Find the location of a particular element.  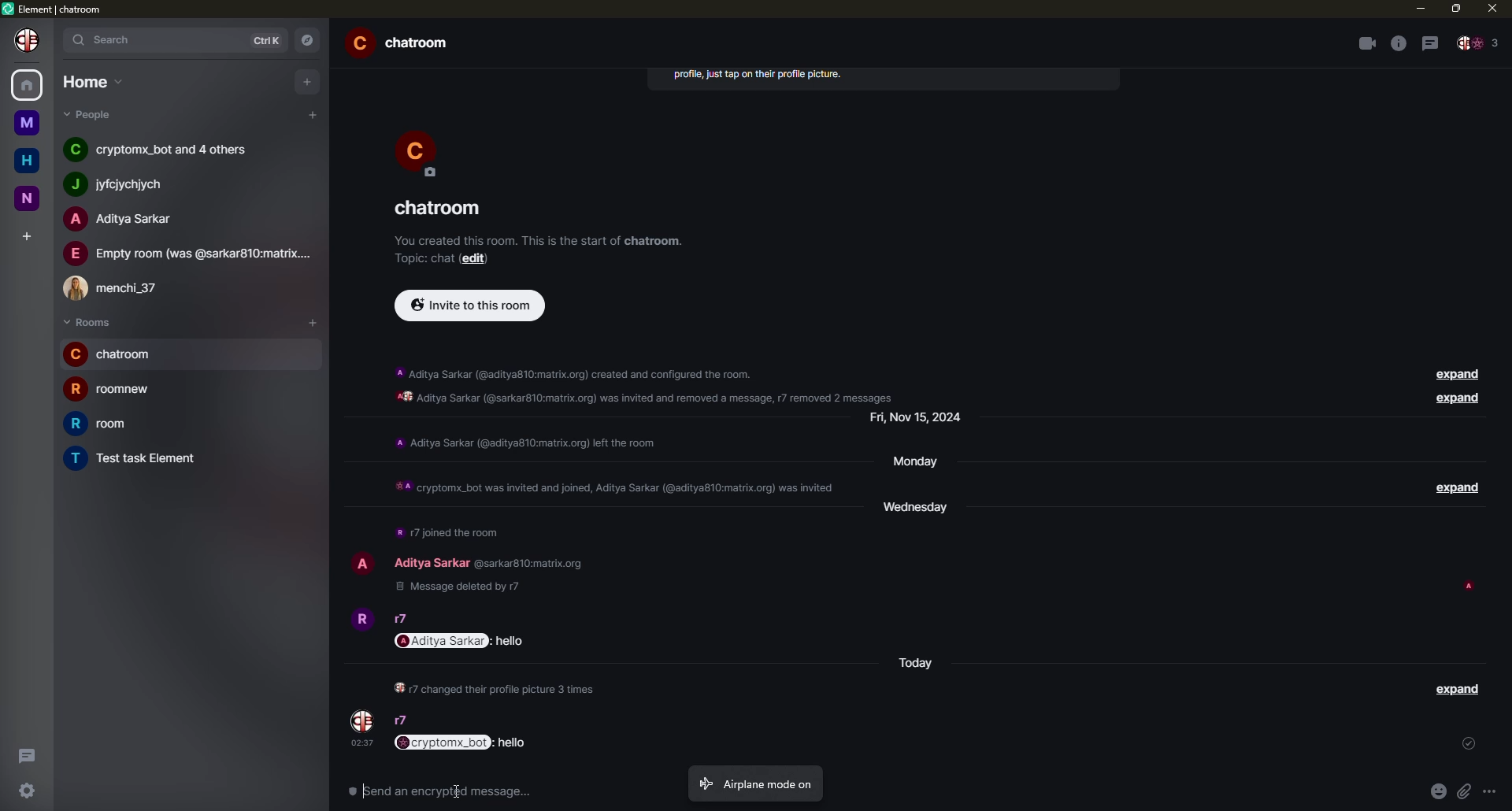

threads is located at coordinates (1430, 42).